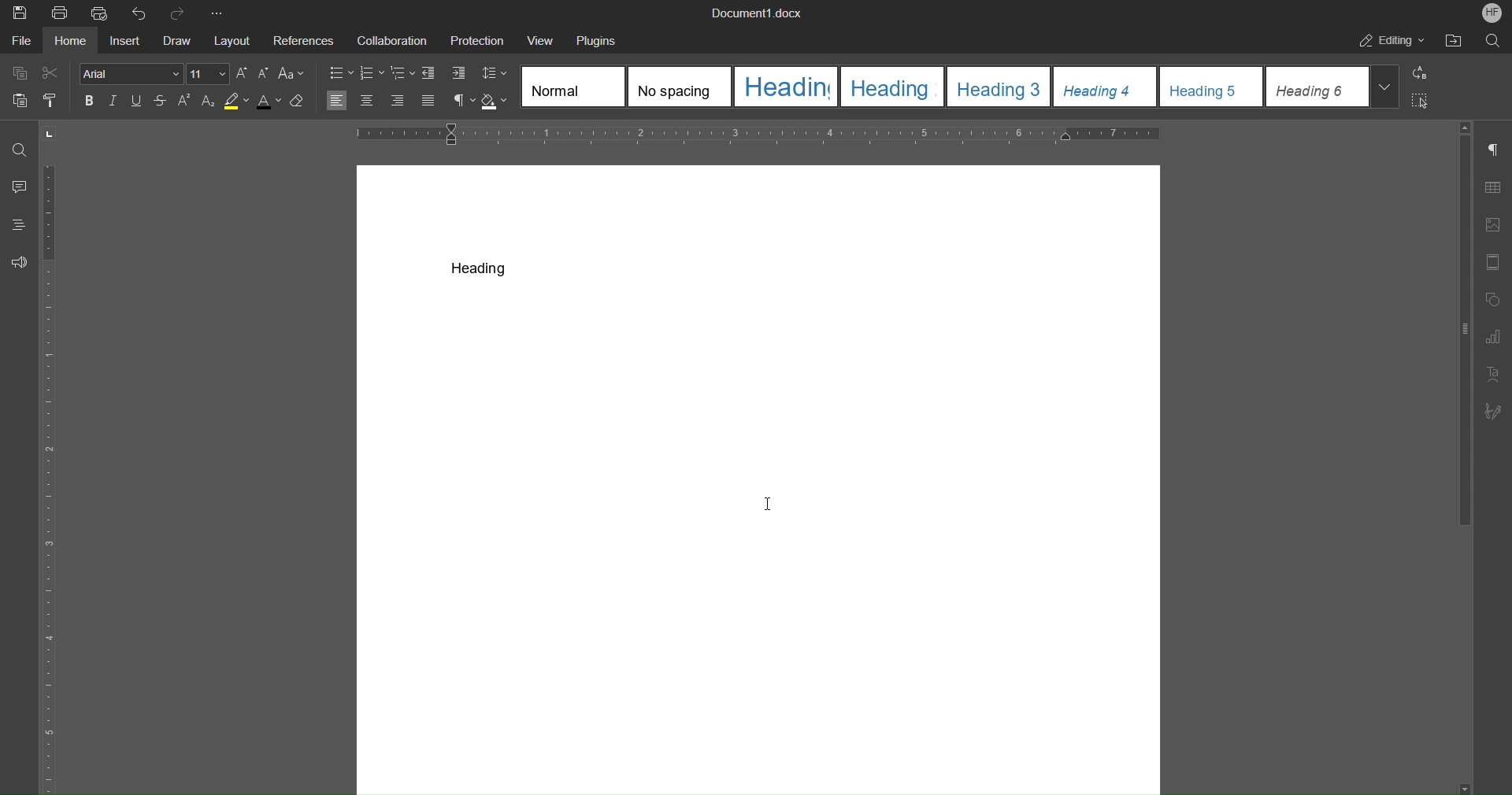 This screenshot has width=1512, height=795. I want to click on Search, so click(1494, 38).